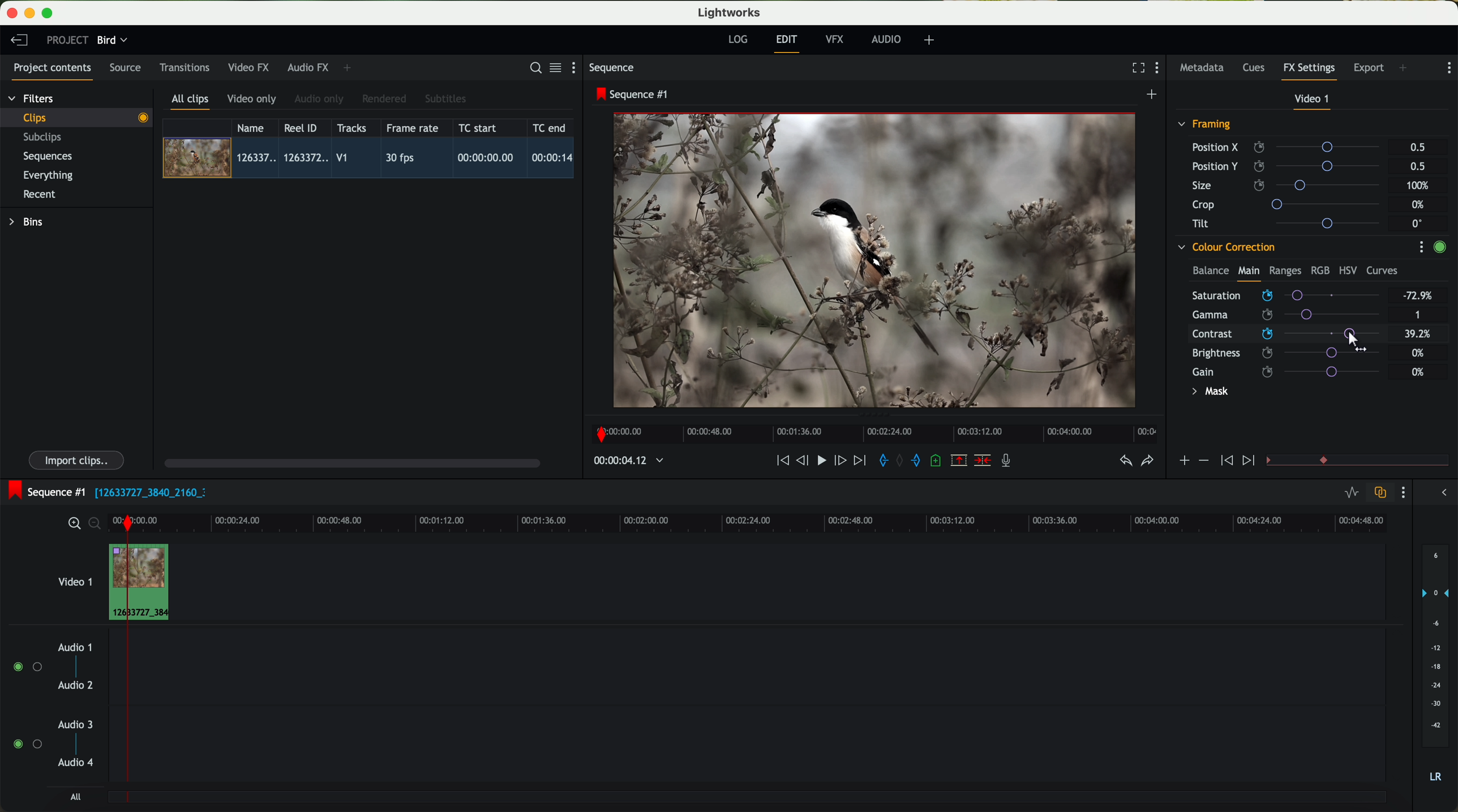  What do you see at coordinates (40, 196) in the screenshot?
I see `recent` at bounding box center [40, 196].